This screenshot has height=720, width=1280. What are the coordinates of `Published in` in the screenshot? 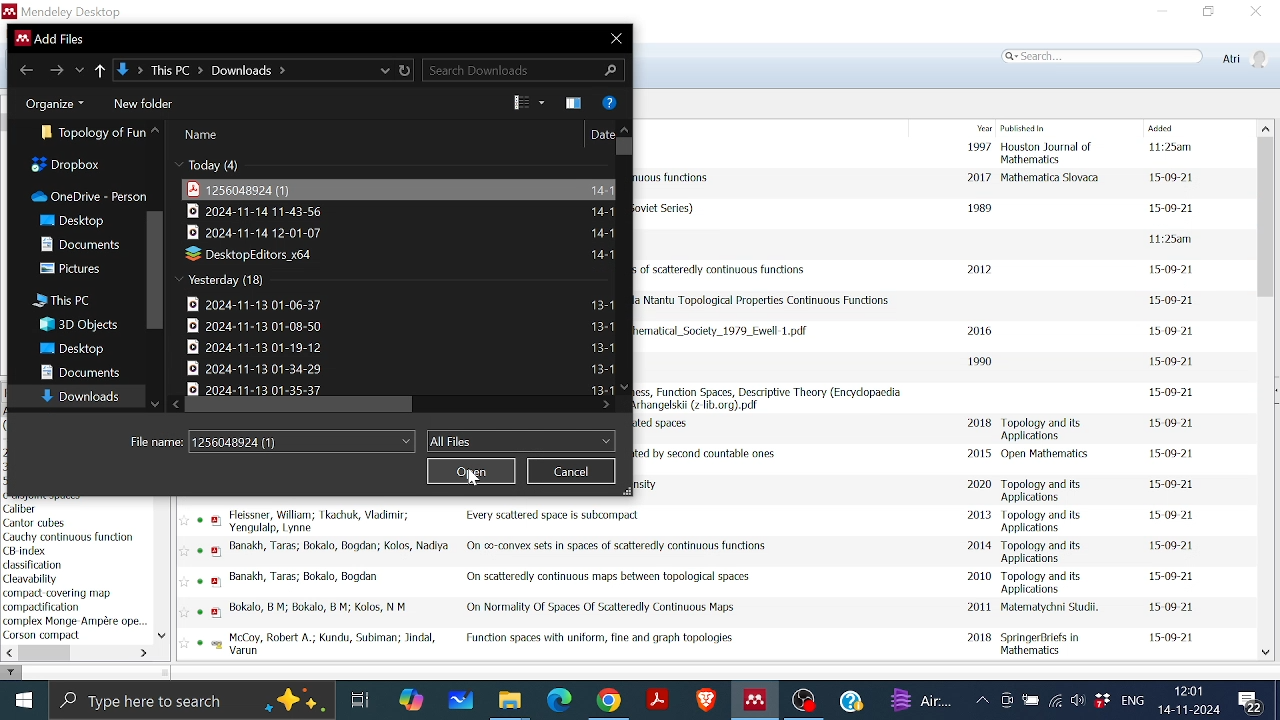 It's located at (1042, 490).